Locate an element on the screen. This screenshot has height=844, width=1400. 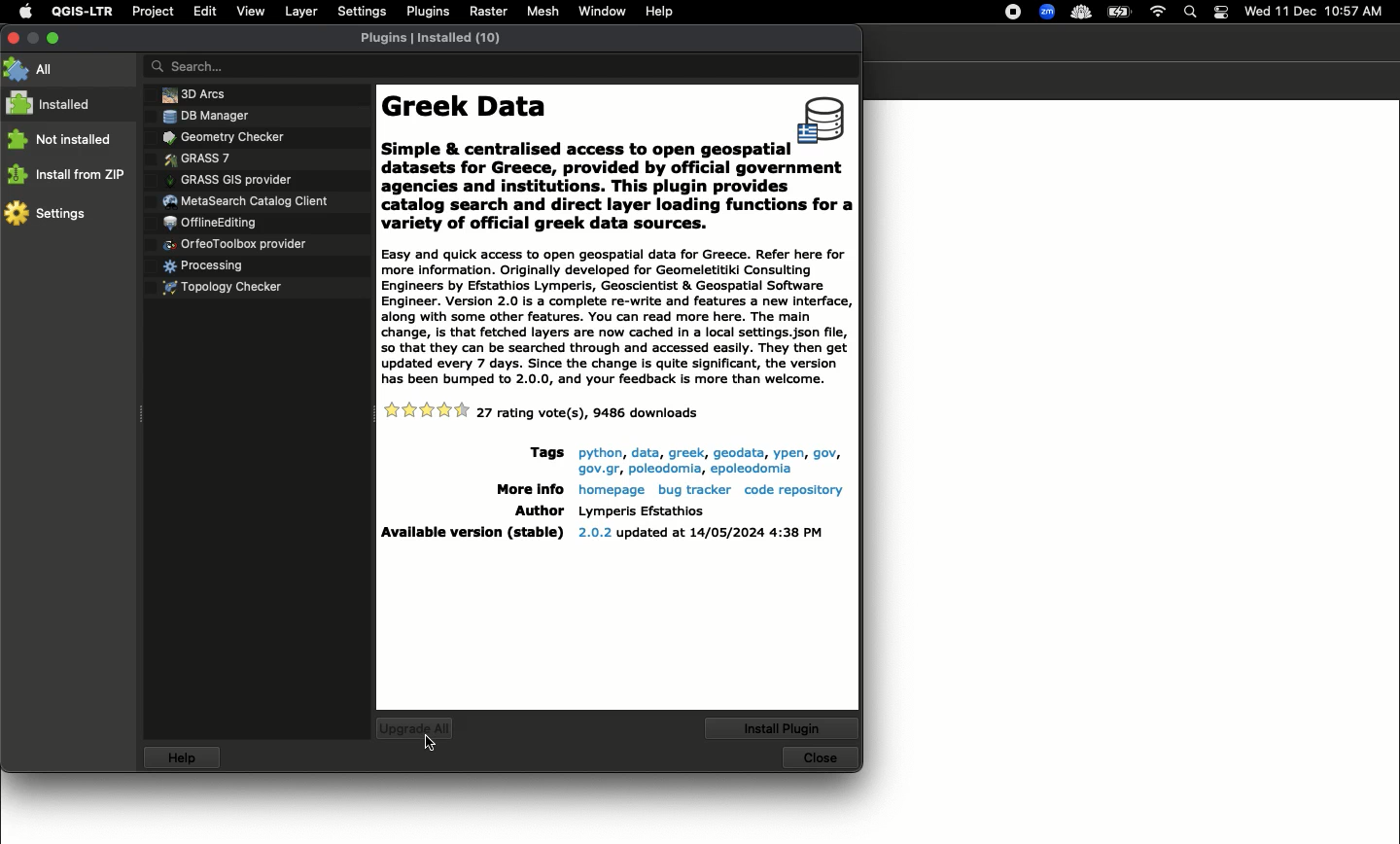
Internet is located at coordinates (1159, 11).